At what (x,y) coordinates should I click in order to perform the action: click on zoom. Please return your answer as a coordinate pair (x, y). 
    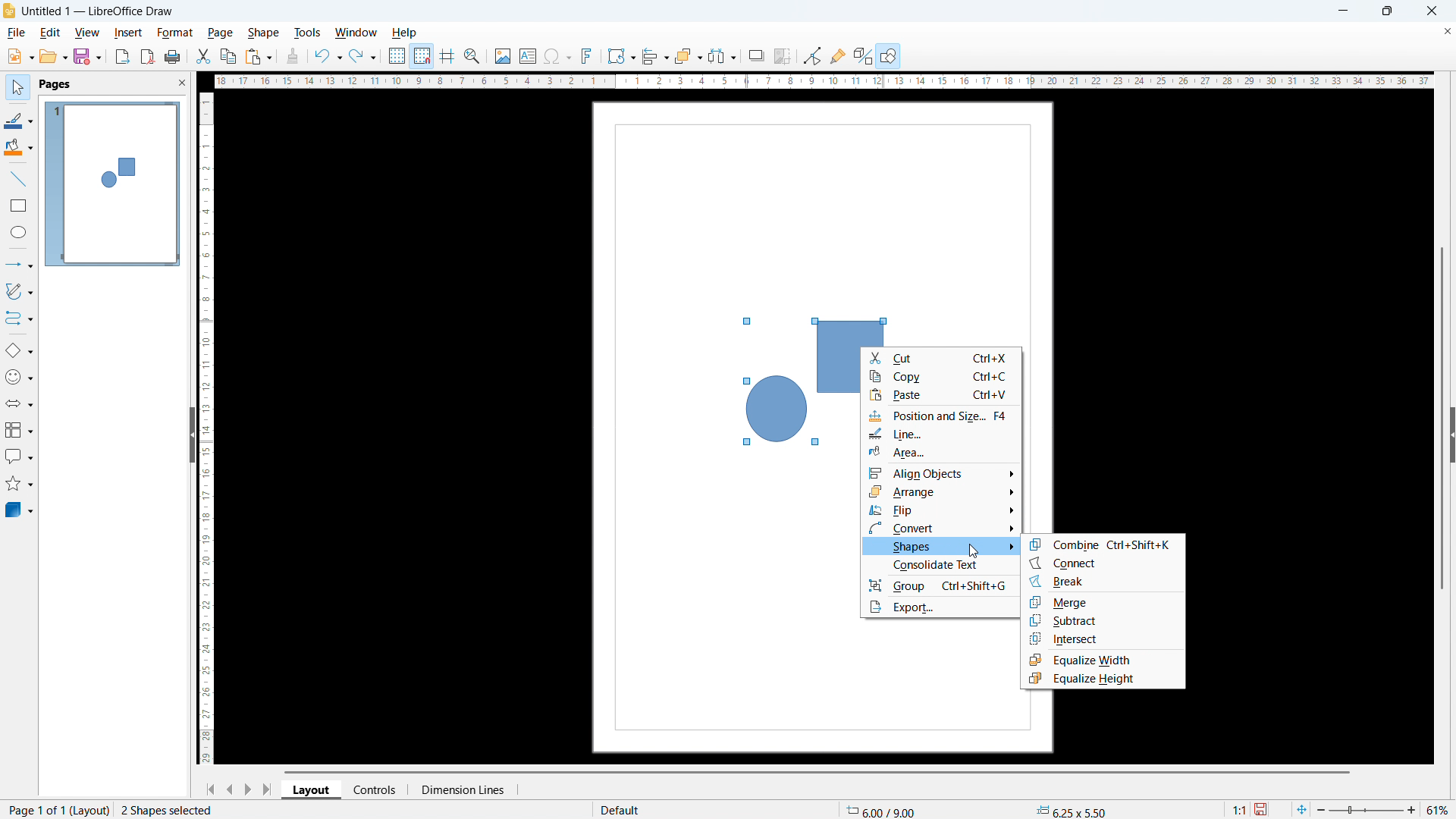
    Looking at the image, I should click on (473, 57).